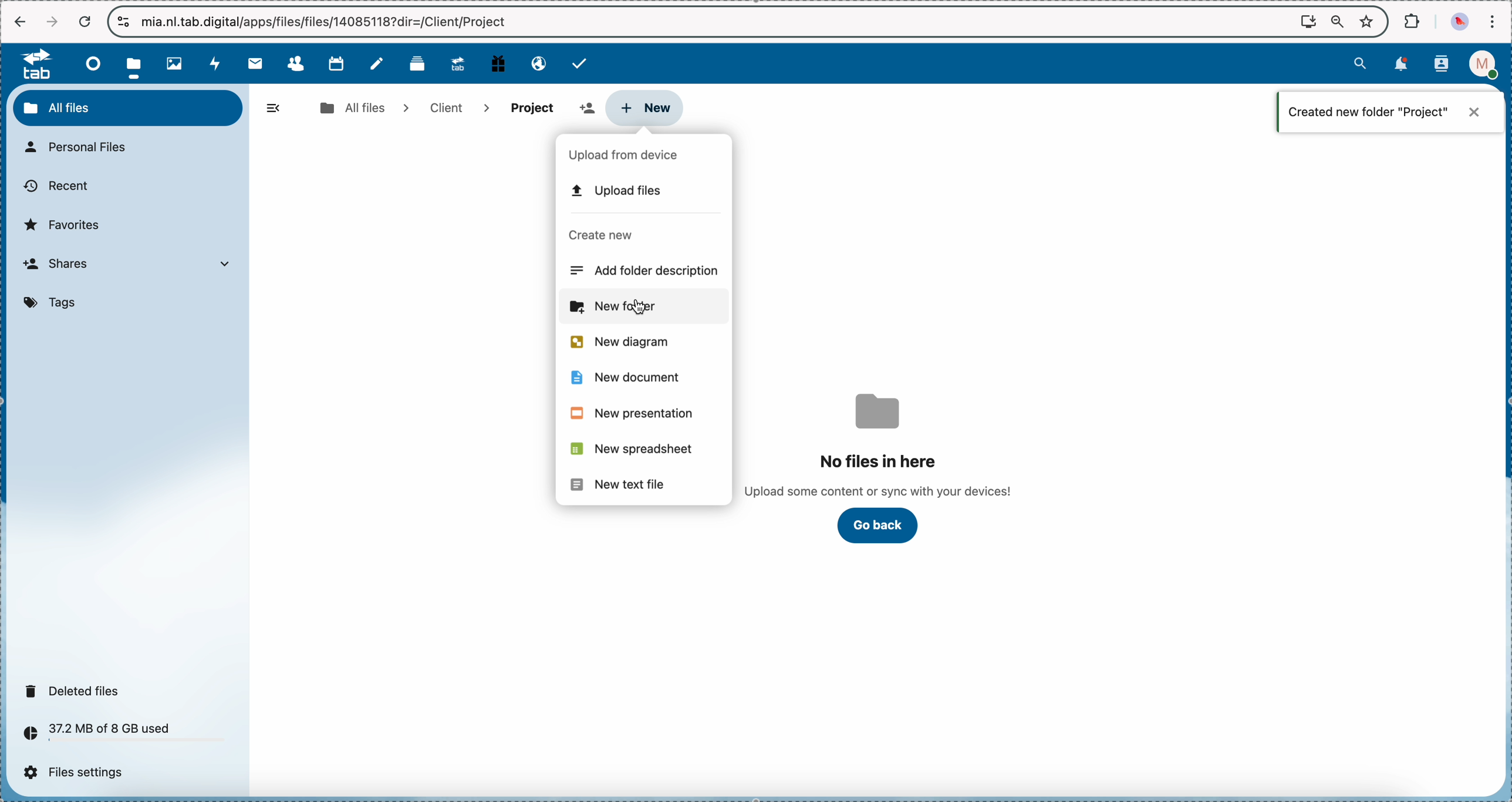 This screenshot has height=802, width=1512. I want to click on notifications, so click(1399, 65).